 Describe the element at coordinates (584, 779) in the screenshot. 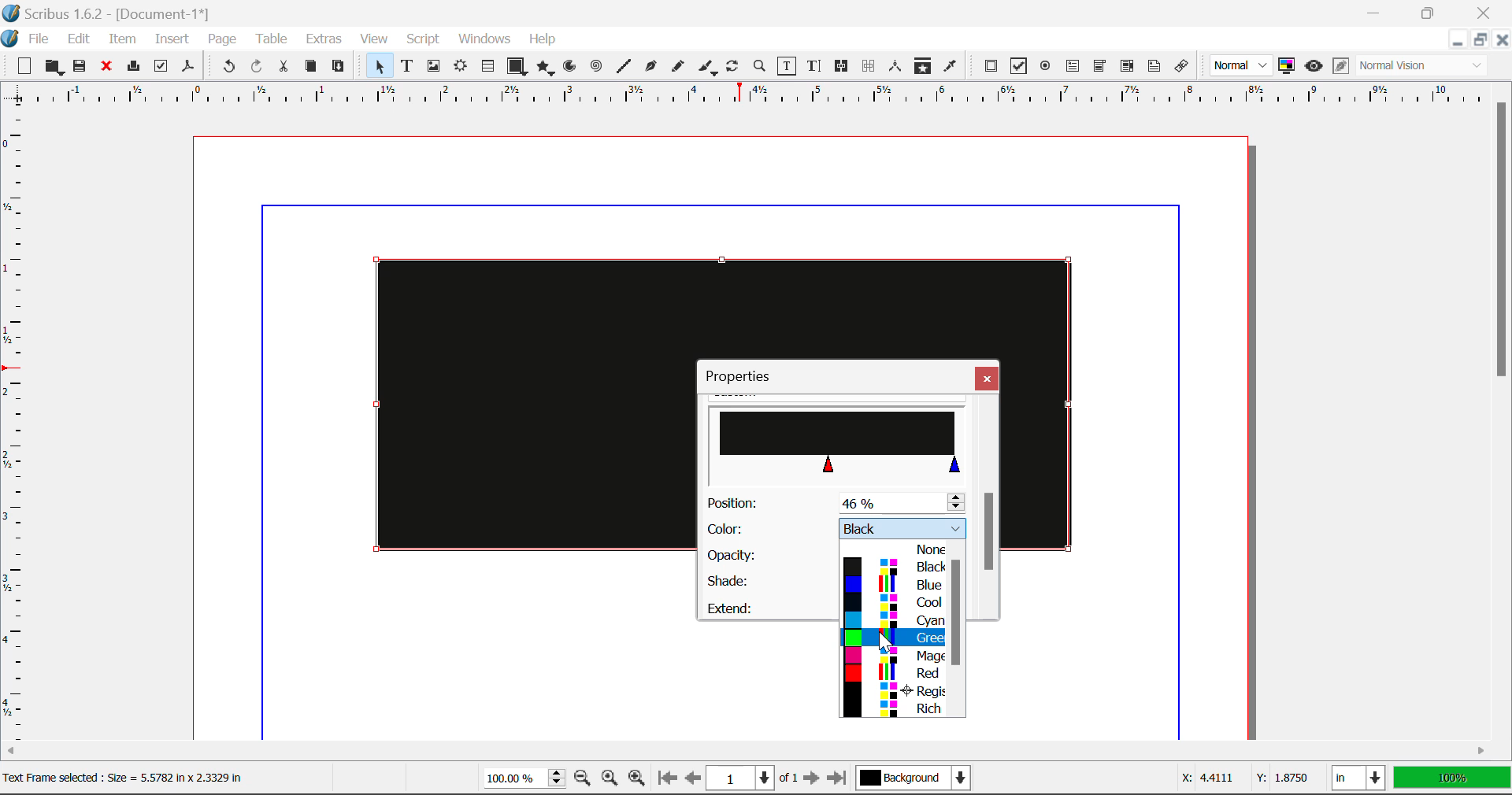

I see `Zoom Out` at that location.